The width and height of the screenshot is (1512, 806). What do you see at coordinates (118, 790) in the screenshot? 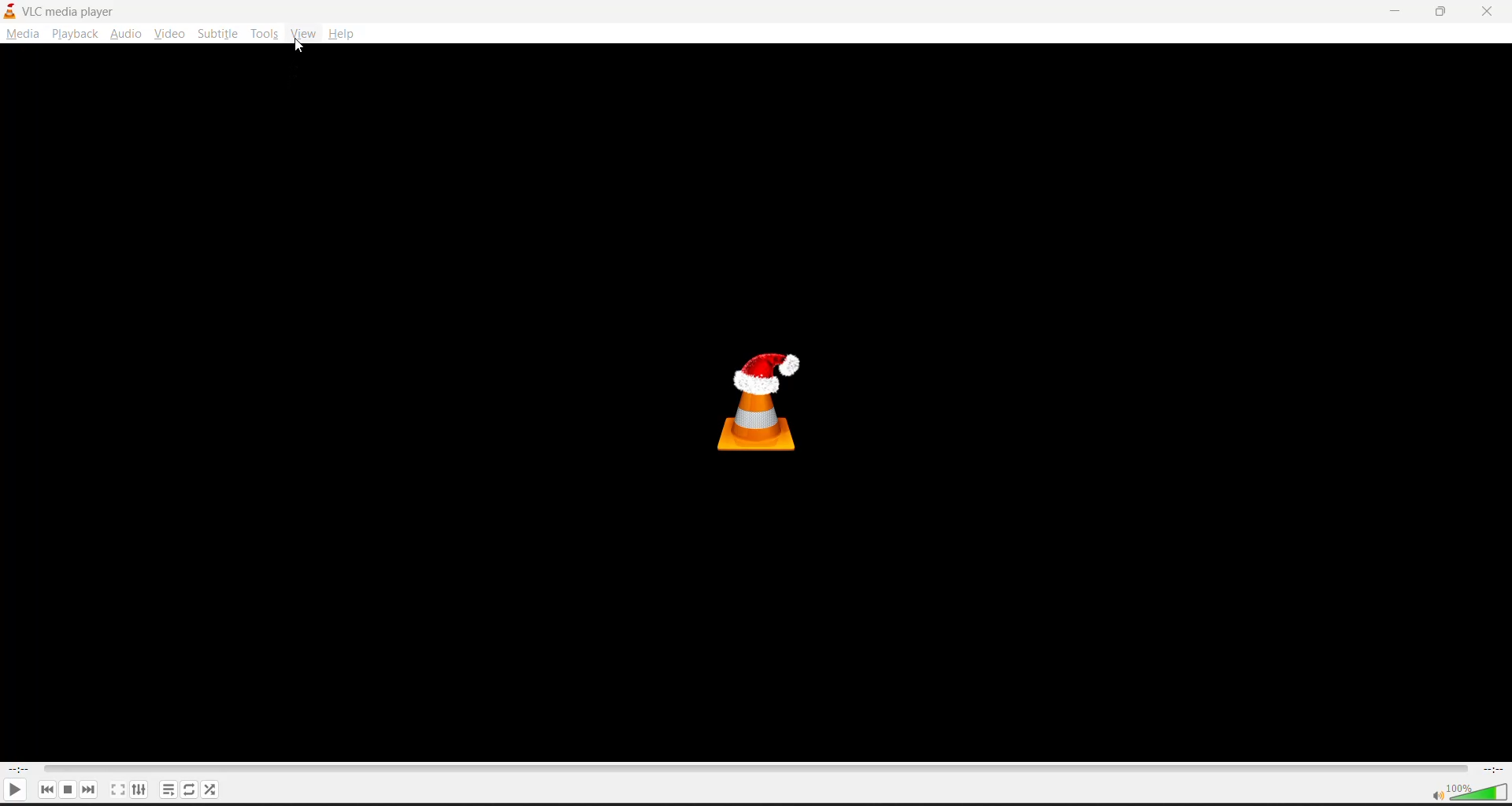
I see `toggle fullscreen` at bounding box center [118, 790].